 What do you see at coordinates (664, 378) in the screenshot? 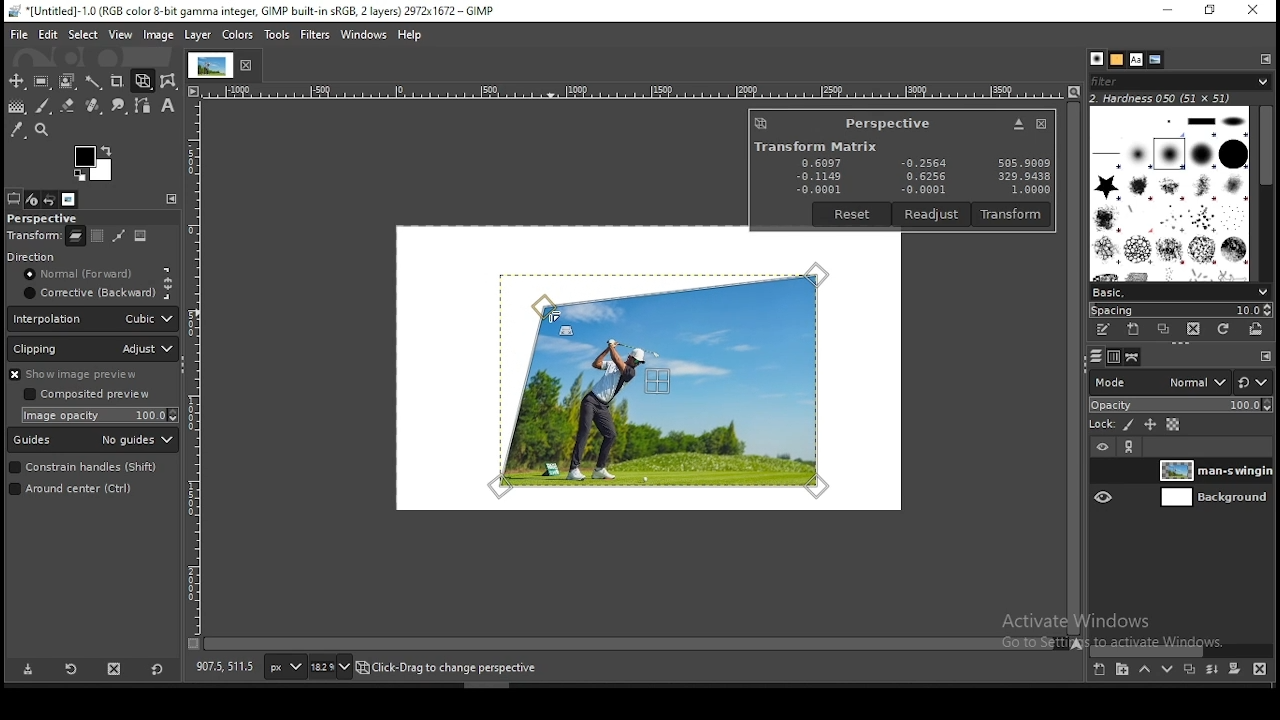
I see `image` at bounding box center [664, 378].